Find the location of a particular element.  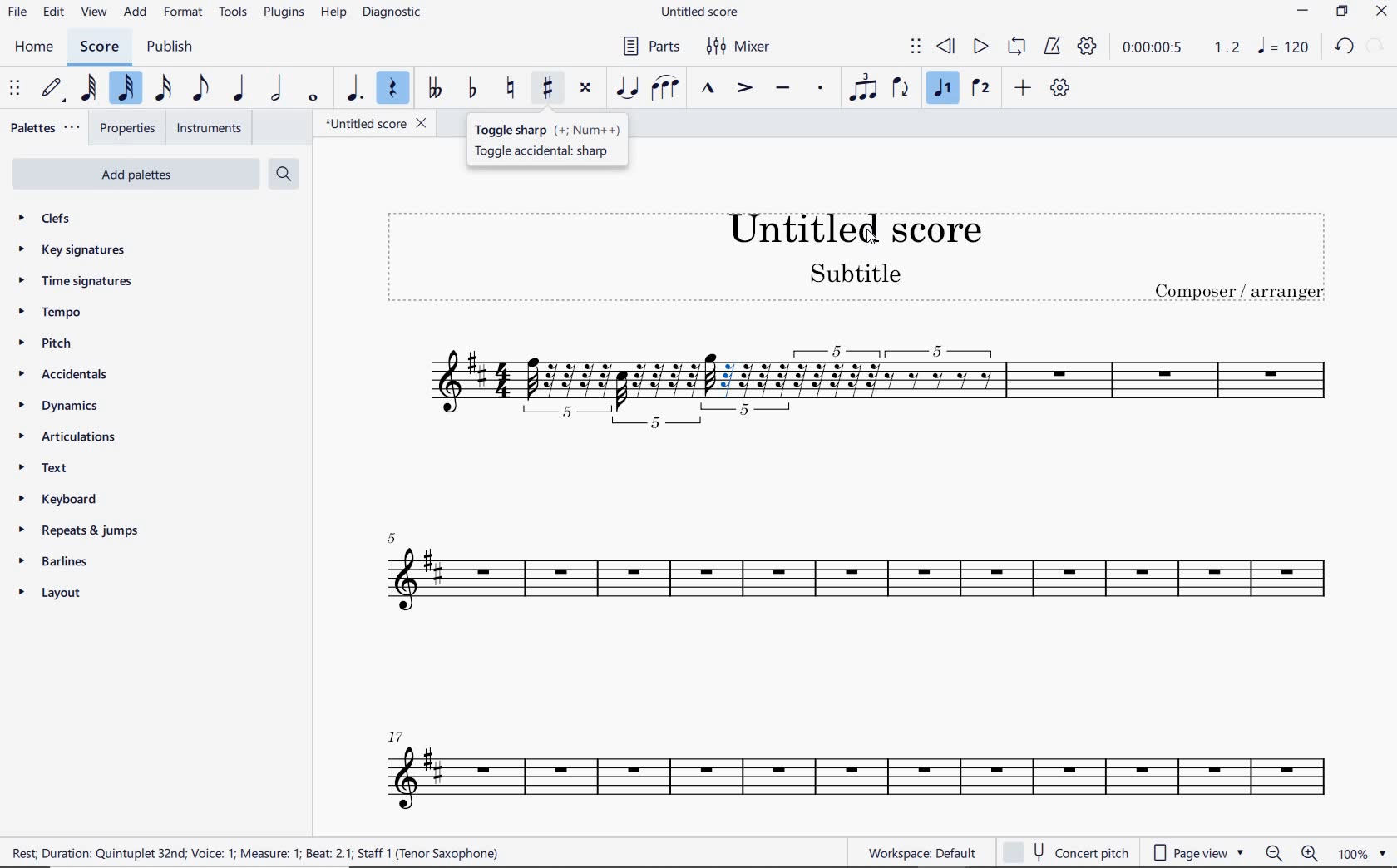

EIGHTH NOTE is located at coordinates (200, 87).